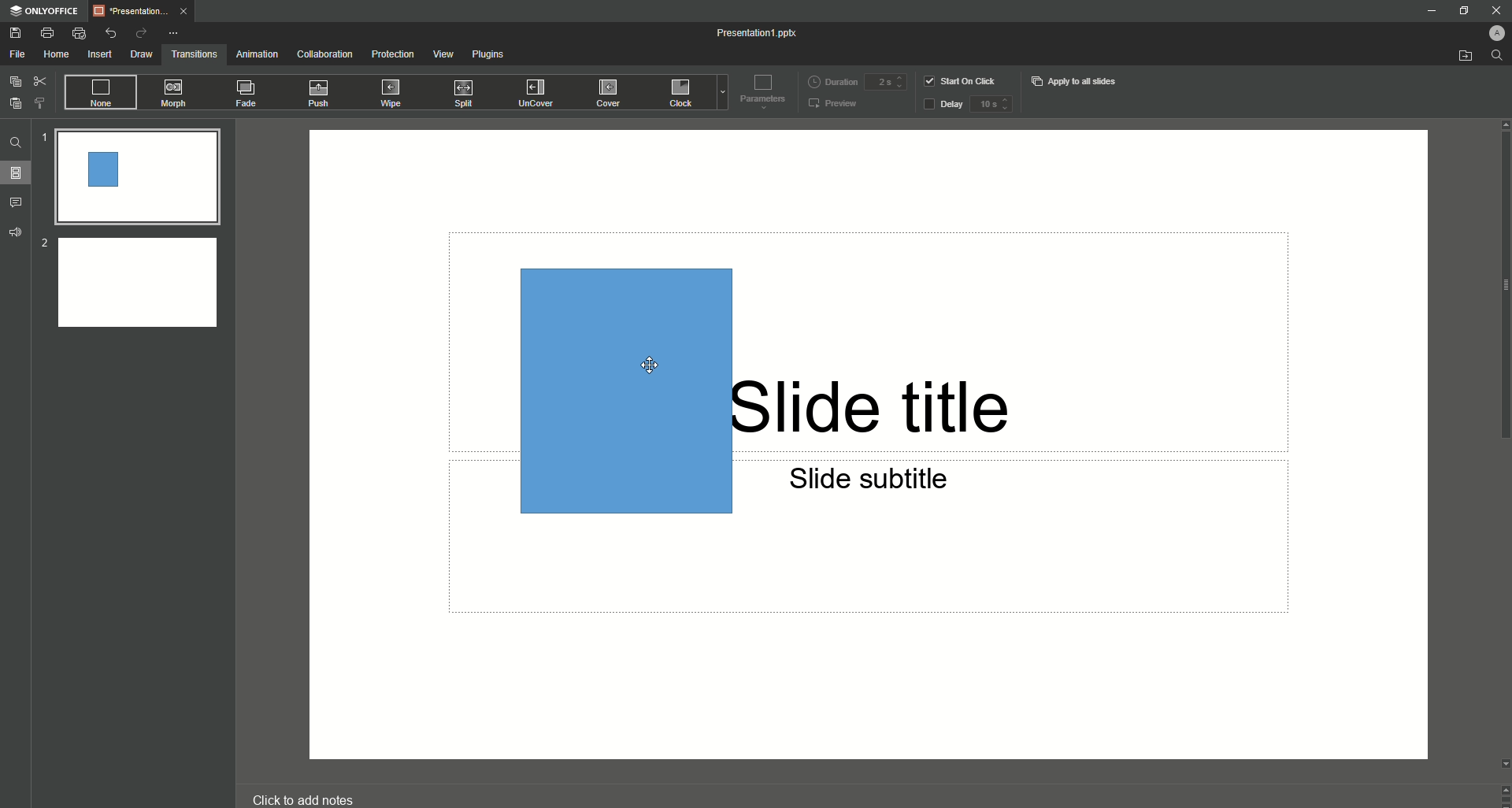 The width and height of the screenshot is (1512, 808). What do you see at coordinates (307, 796) in the screenshot?
I see `click to add notes` at bounding box center [307, 796].